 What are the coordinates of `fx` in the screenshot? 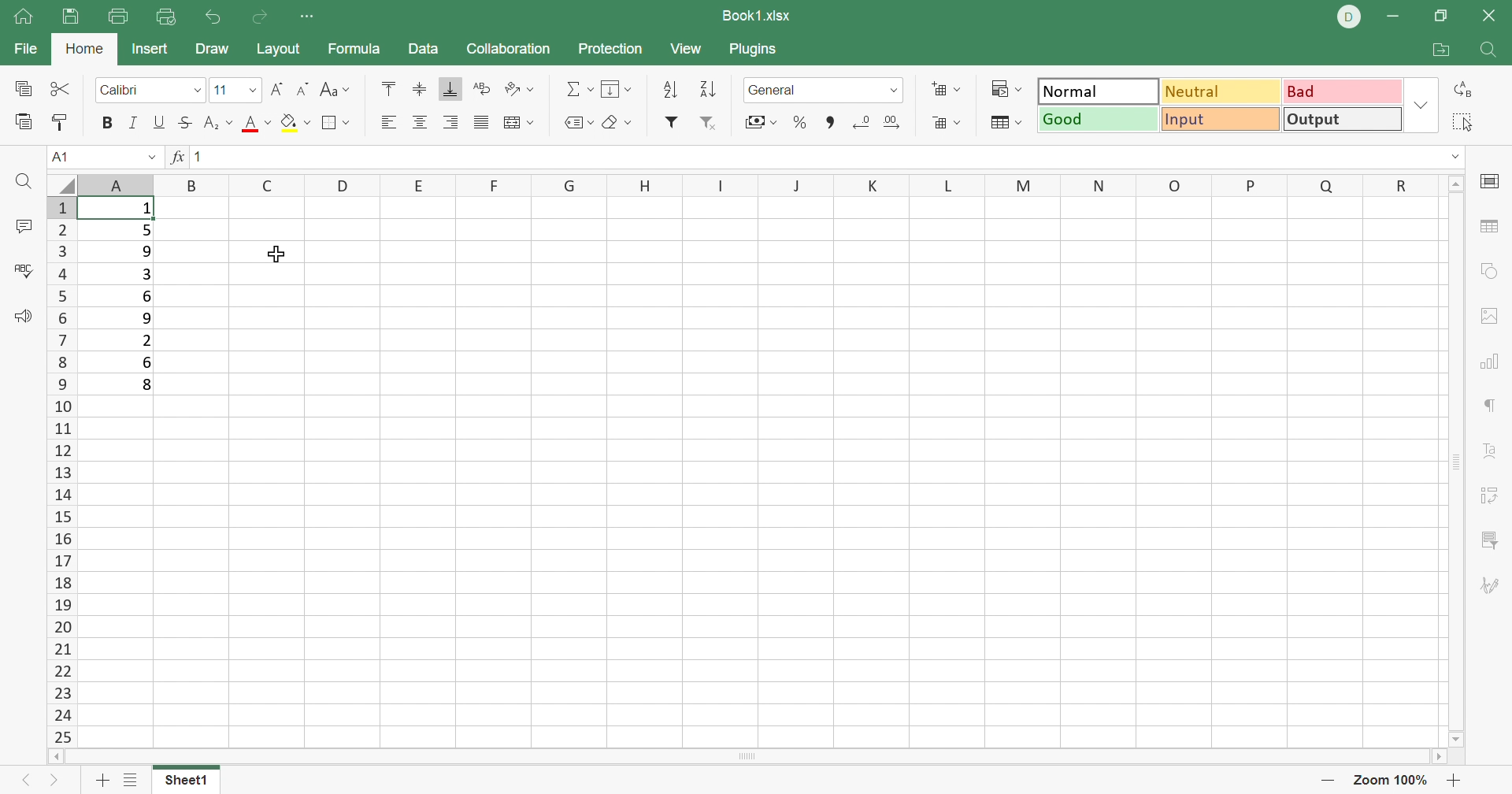 It's located at (178, 155).